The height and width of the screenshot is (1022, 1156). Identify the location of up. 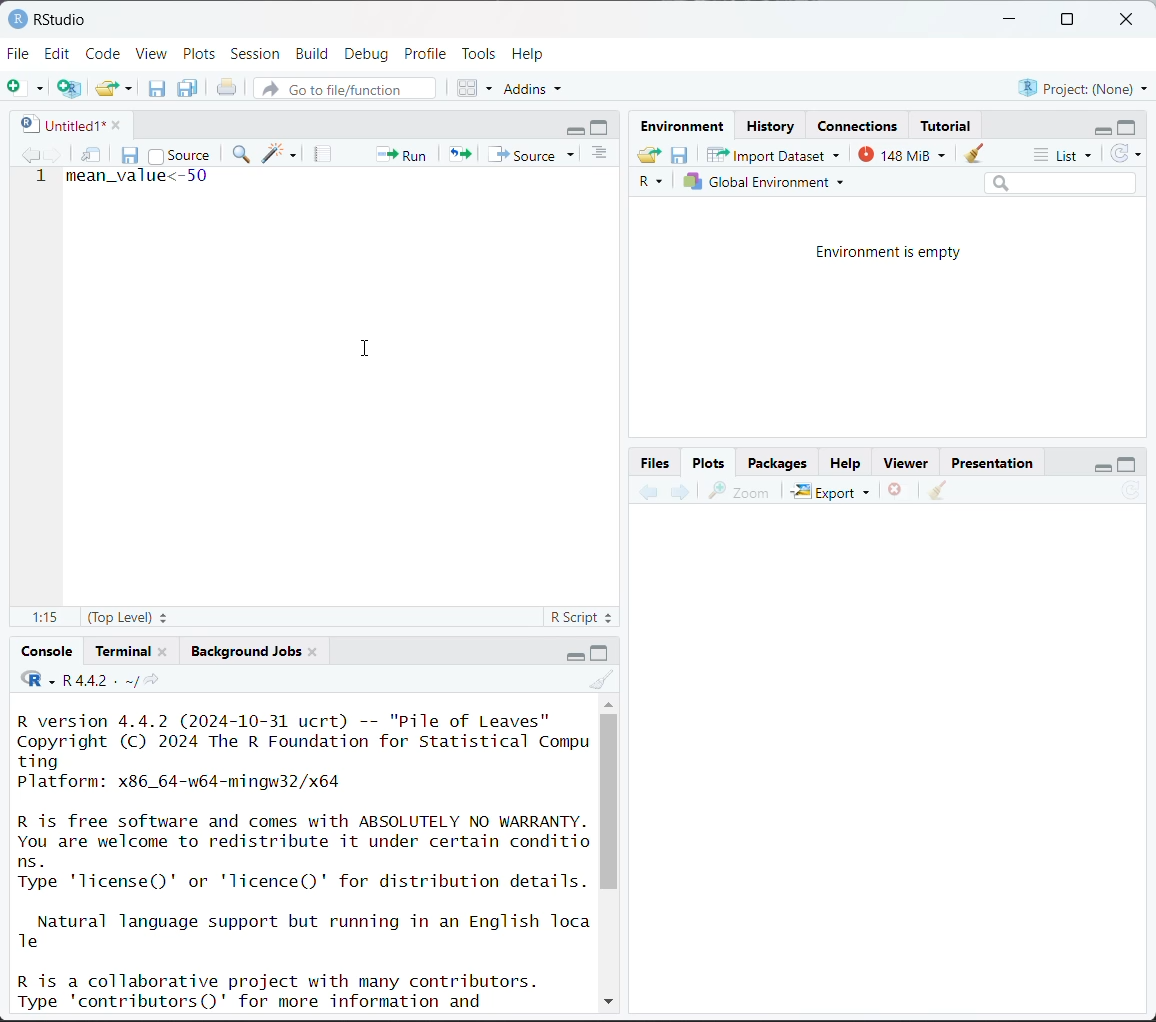
(608, 702).